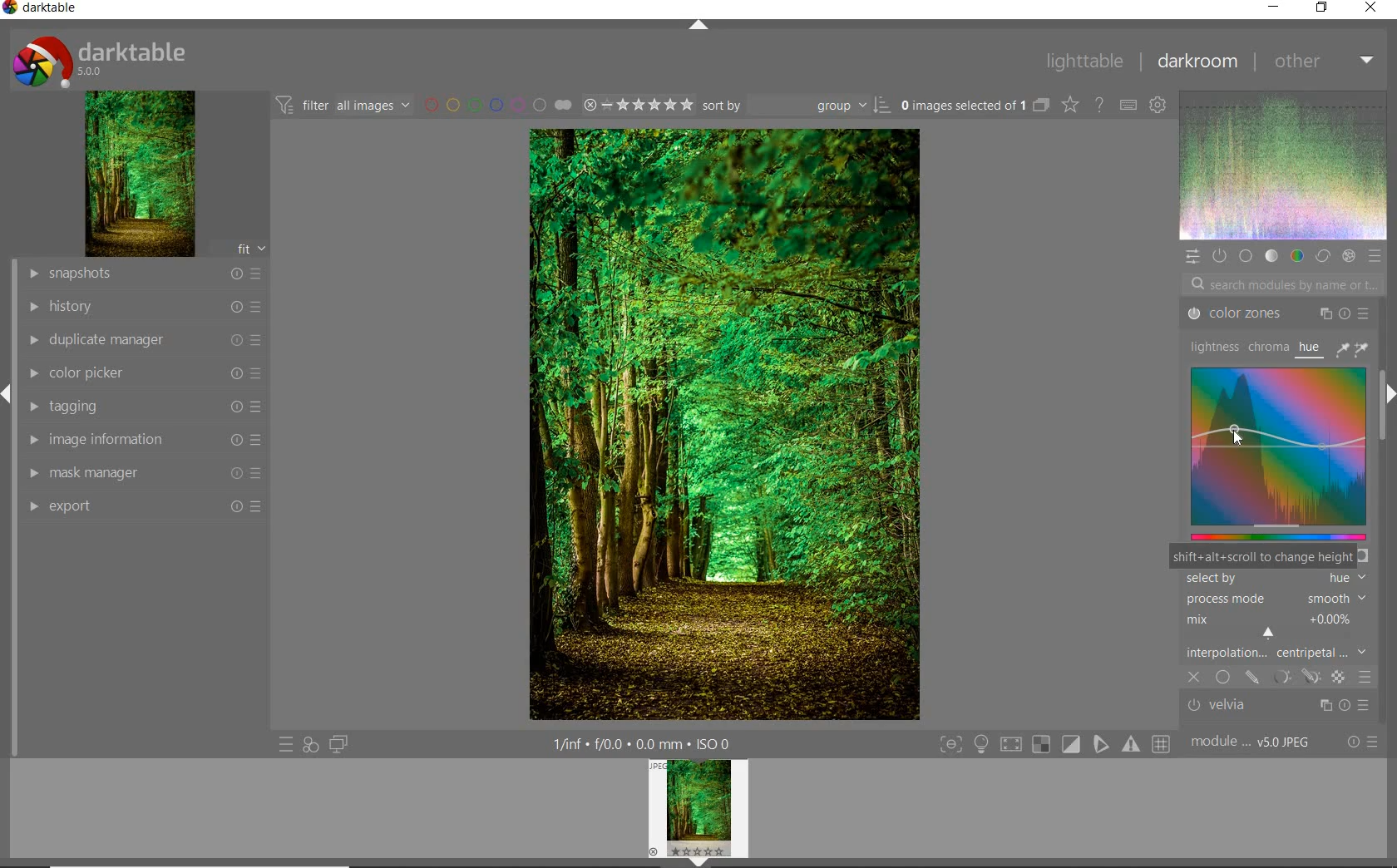 This screenshot has height=868, width=1397. Describe the element at coordinates (1261, 557) in the screenshot. I see `shift+alt+scroll to change height` at that location.